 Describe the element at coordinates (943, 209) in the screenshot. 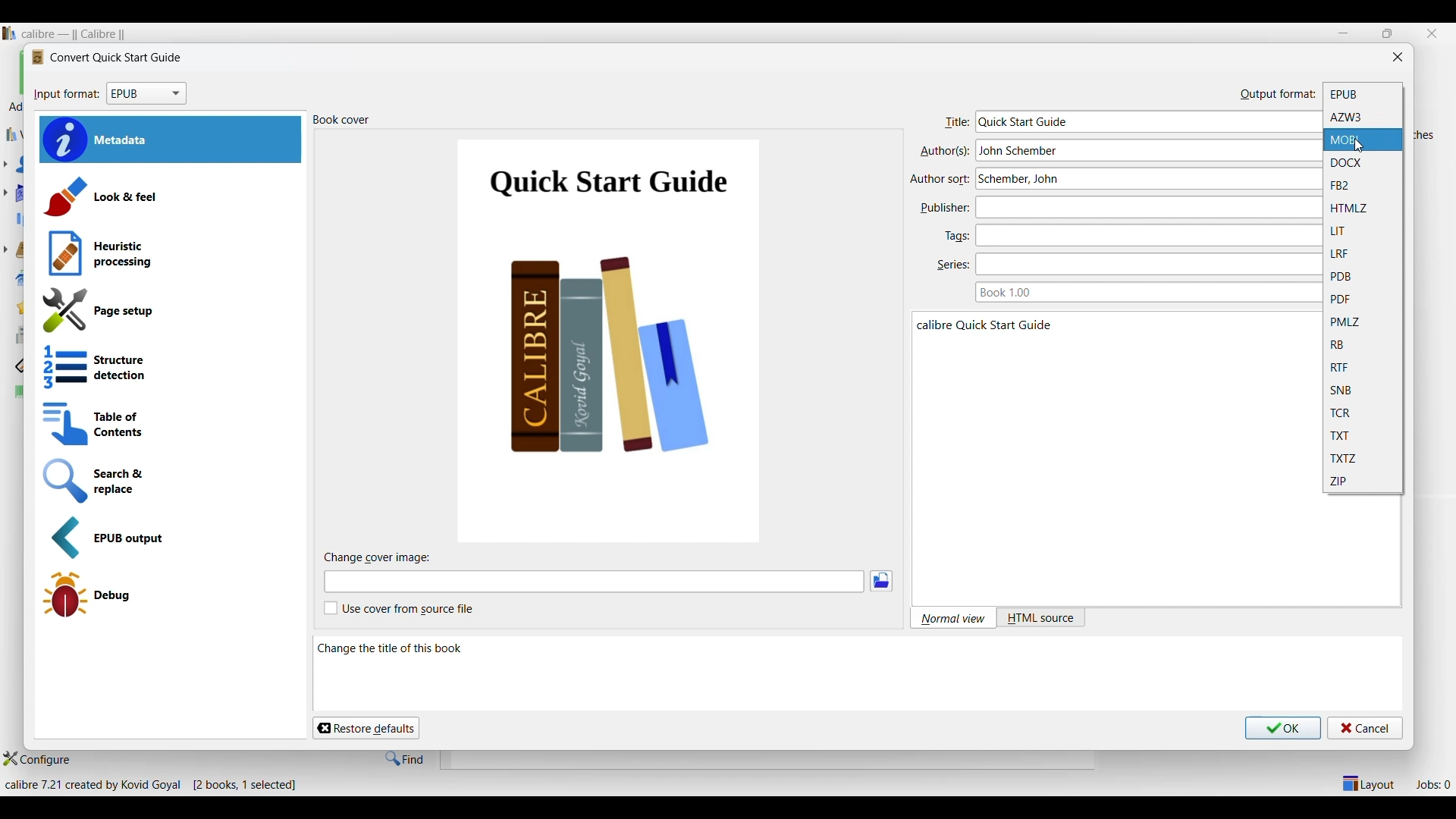

I see `publisher` at that location.